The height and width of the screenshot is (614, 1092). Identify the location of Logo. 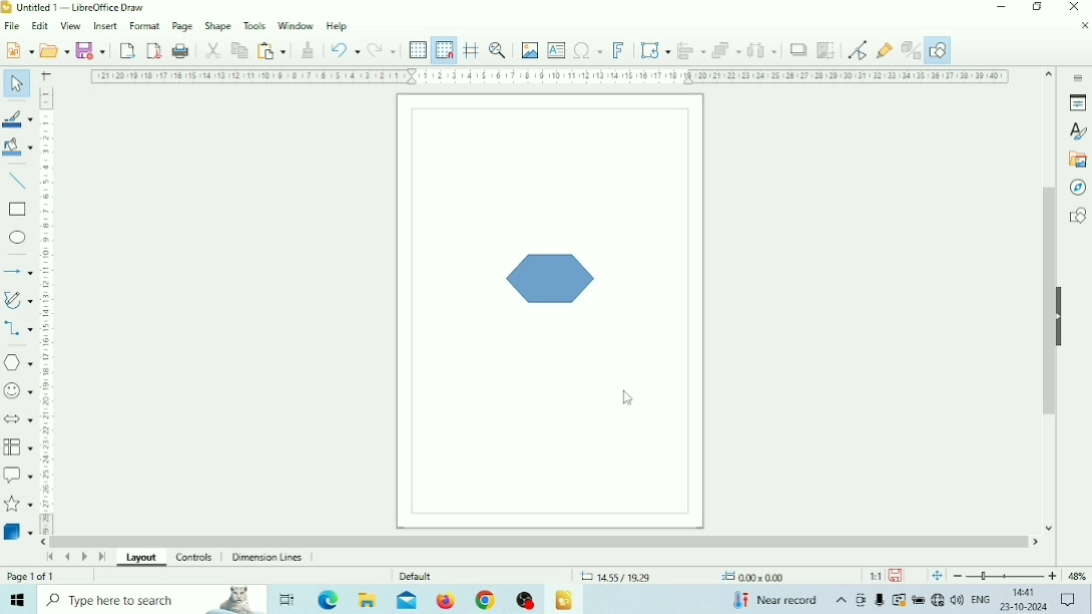
(7, 8).